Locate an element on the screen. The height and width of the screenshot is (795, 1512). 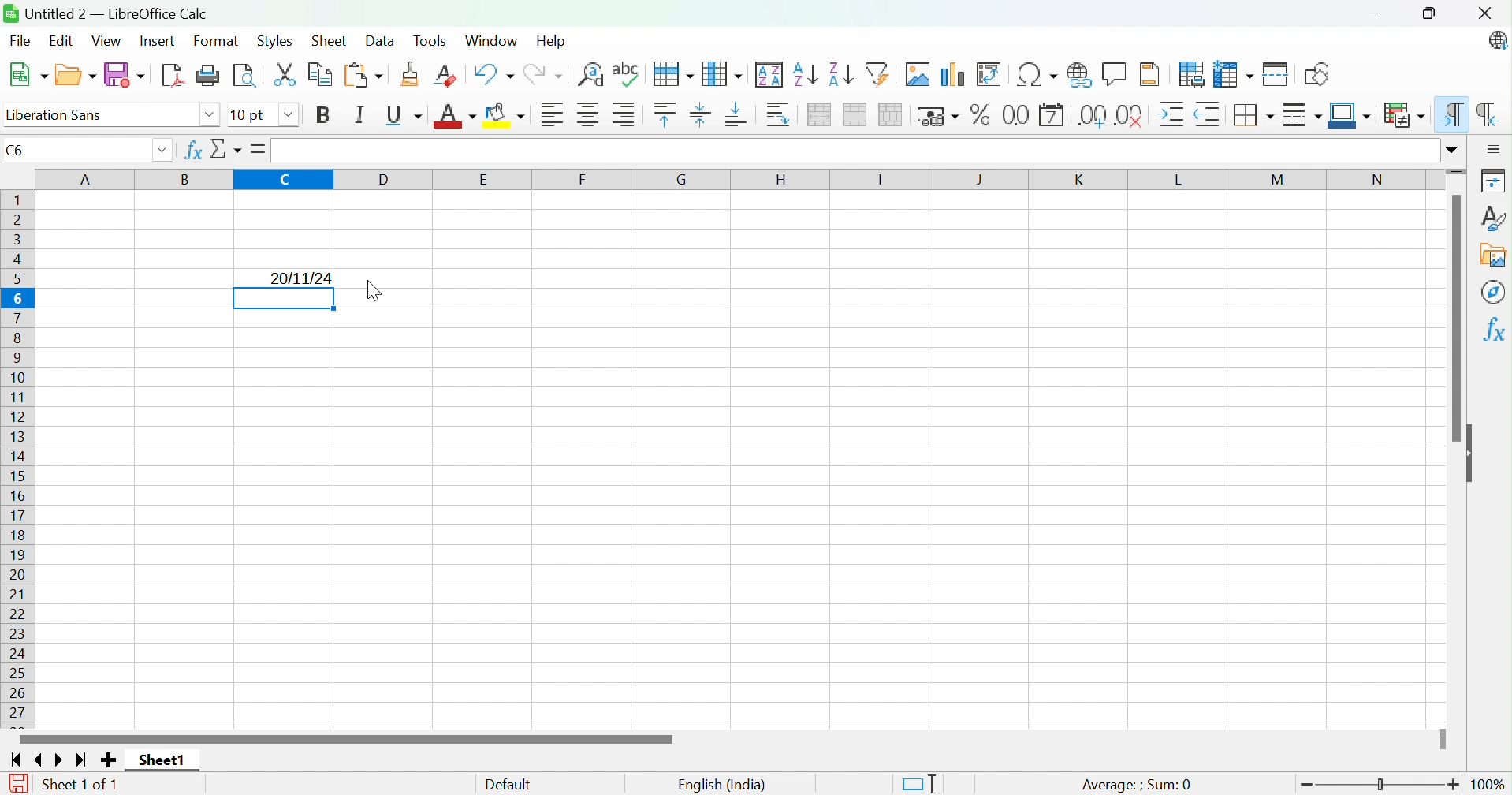
Format as currency is located at coordinates (940, 117).